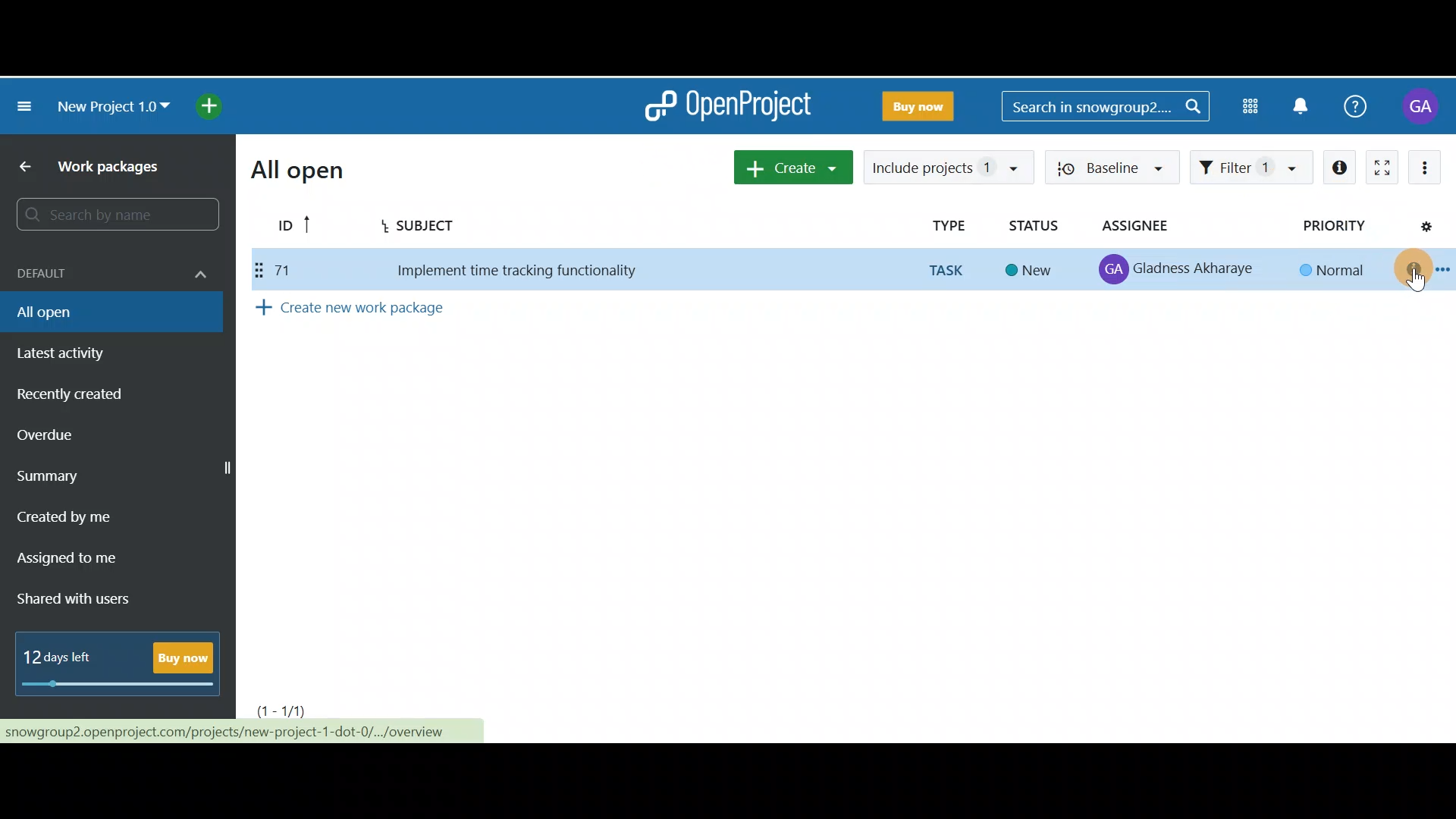 The width and height of the screenshot is (1456, 819). What do you see at coordinates (286, 268) in the screenshot?
I see `71` at bounding box center [286, 268].